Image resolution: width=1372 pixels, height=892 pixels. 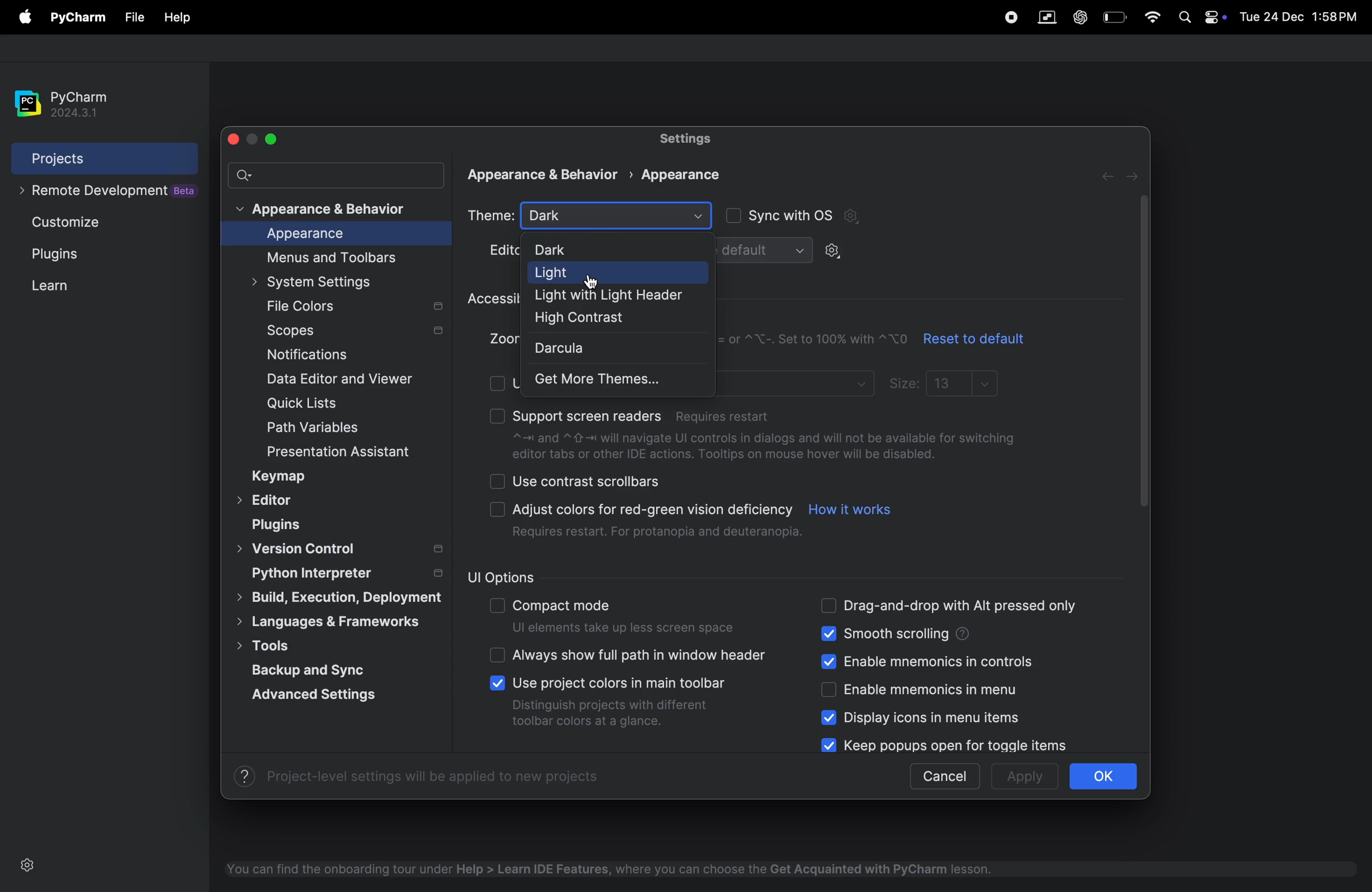 What do you see at coordinates (270, 500) in the screenshot?
I see `Editor` at bounding box center [270, 500].